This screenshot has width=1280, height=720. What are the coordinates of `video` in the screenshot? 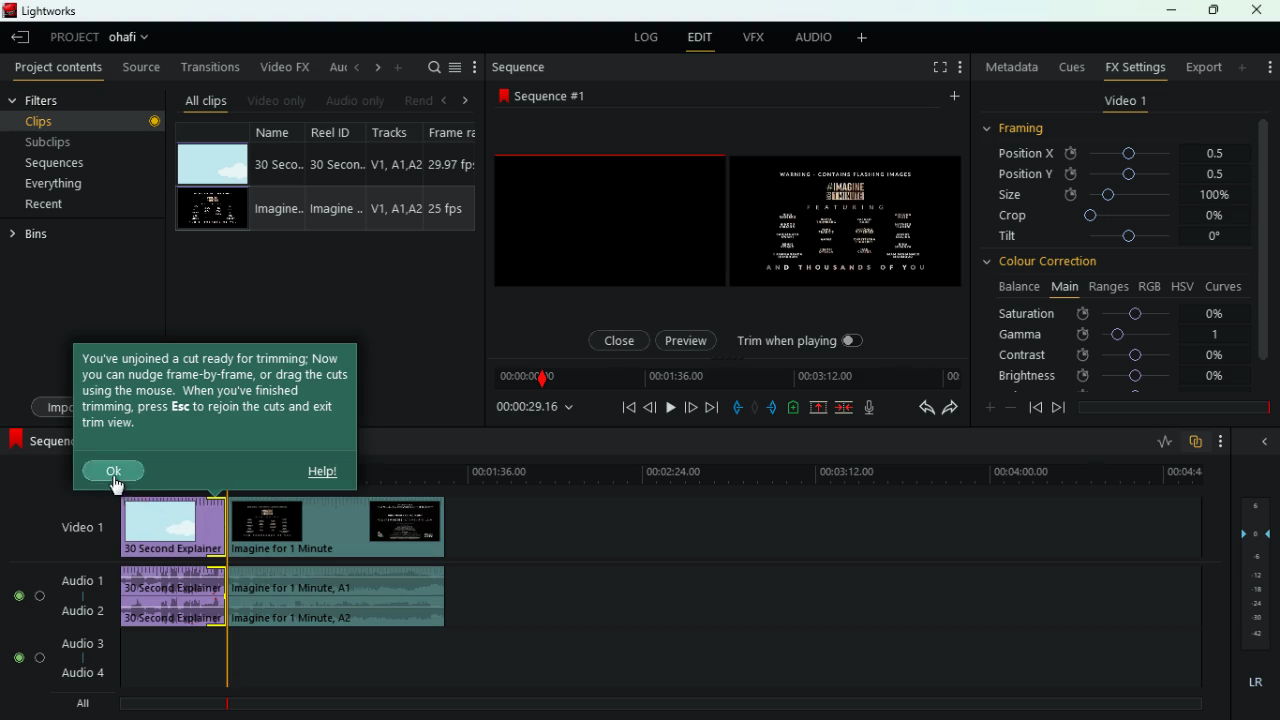 It's located at (210, 211).